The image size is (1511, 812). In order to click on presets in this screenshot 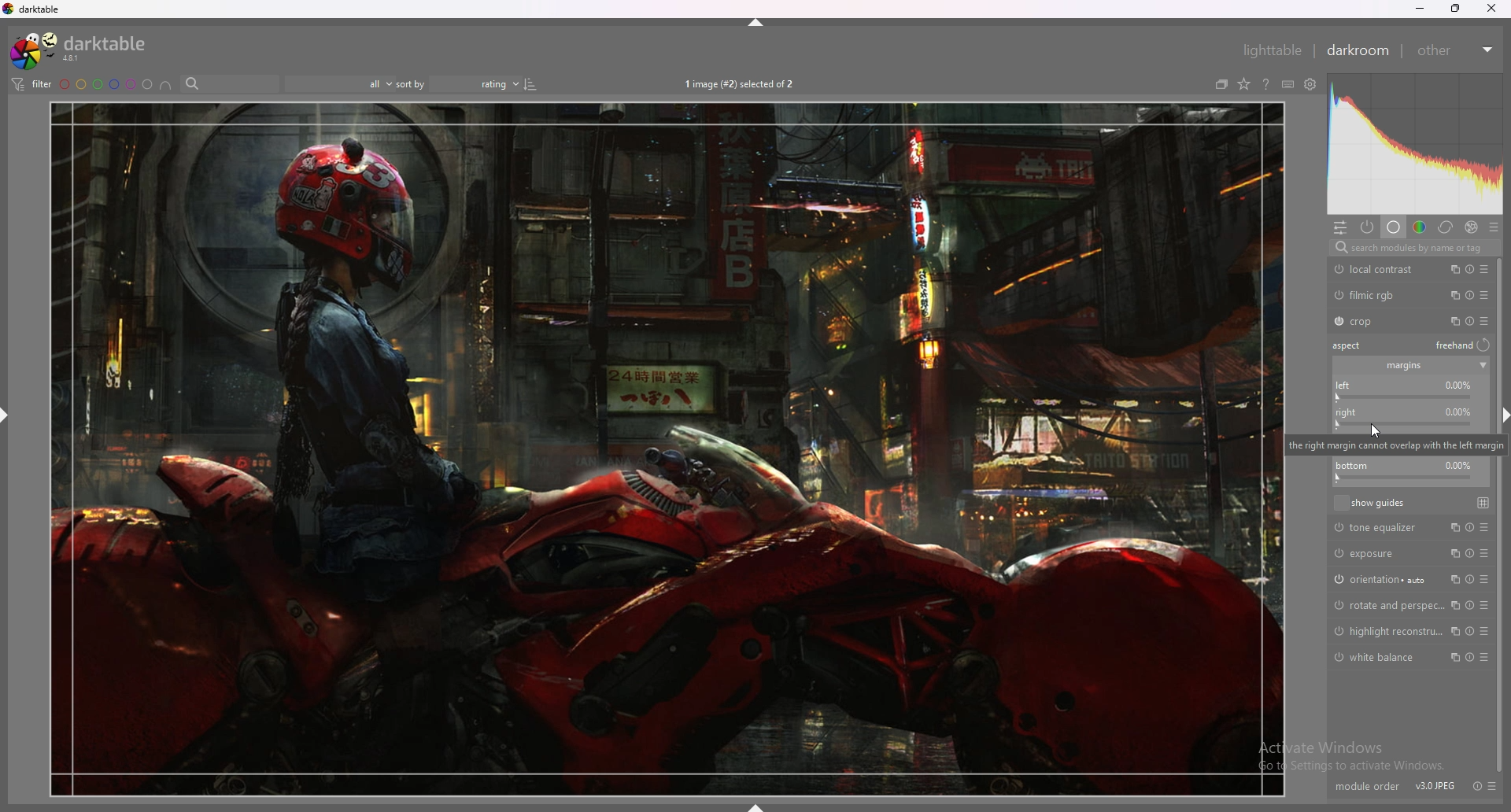, I will do `click(1487, 631)`.